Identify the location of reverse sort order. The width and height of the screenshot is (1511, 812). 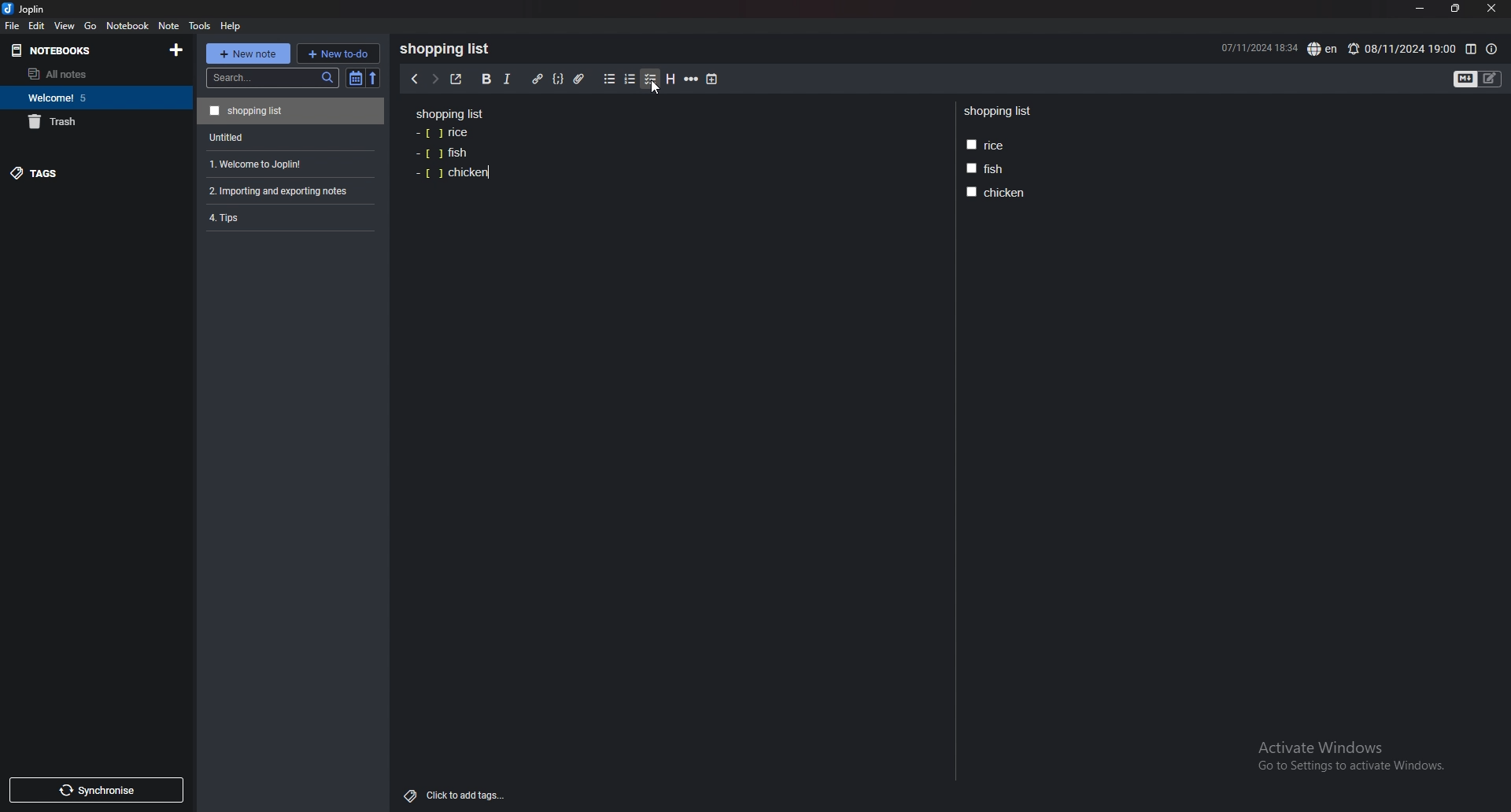
(376, 78).